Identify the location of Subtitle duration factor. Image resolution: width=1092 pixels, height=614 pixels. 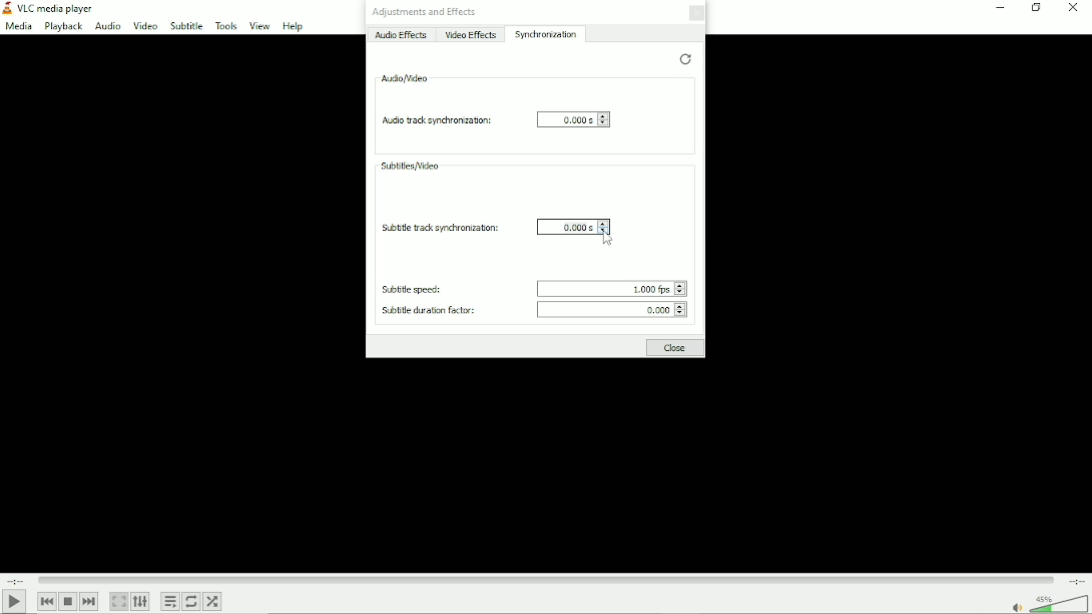
(422, 312).